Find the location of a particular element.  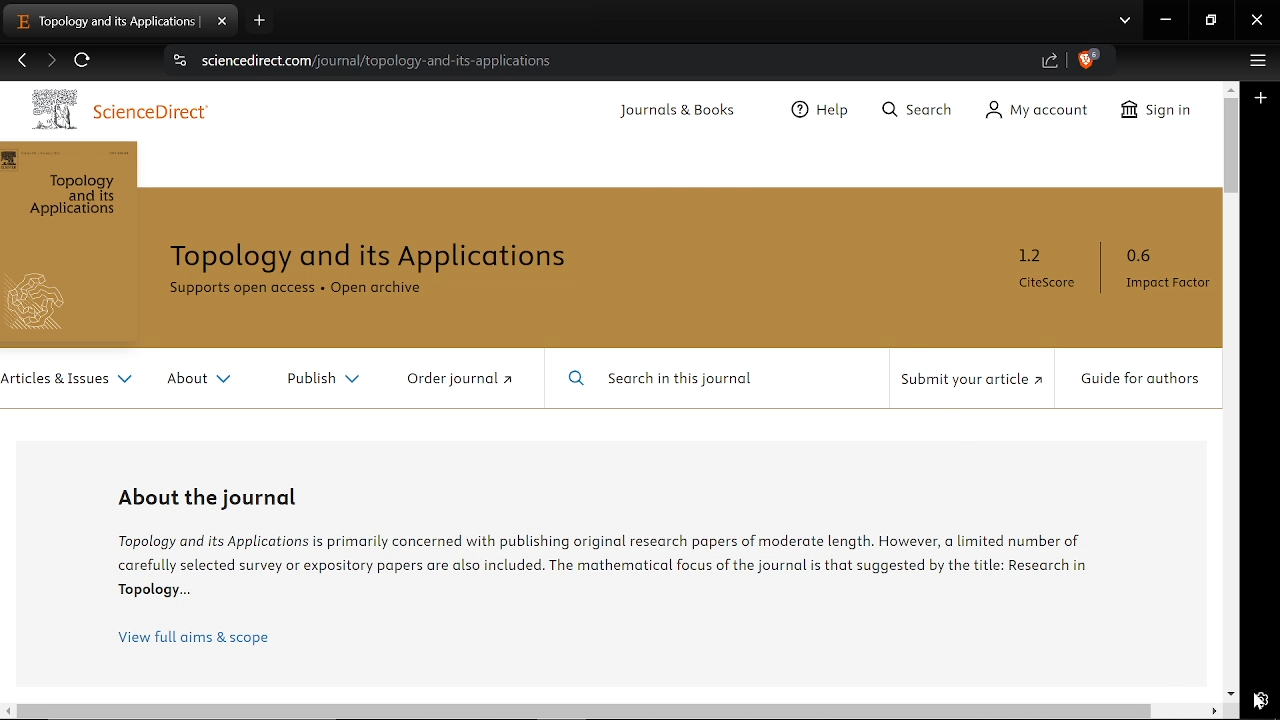

Help is located at coordinates (817, 111).